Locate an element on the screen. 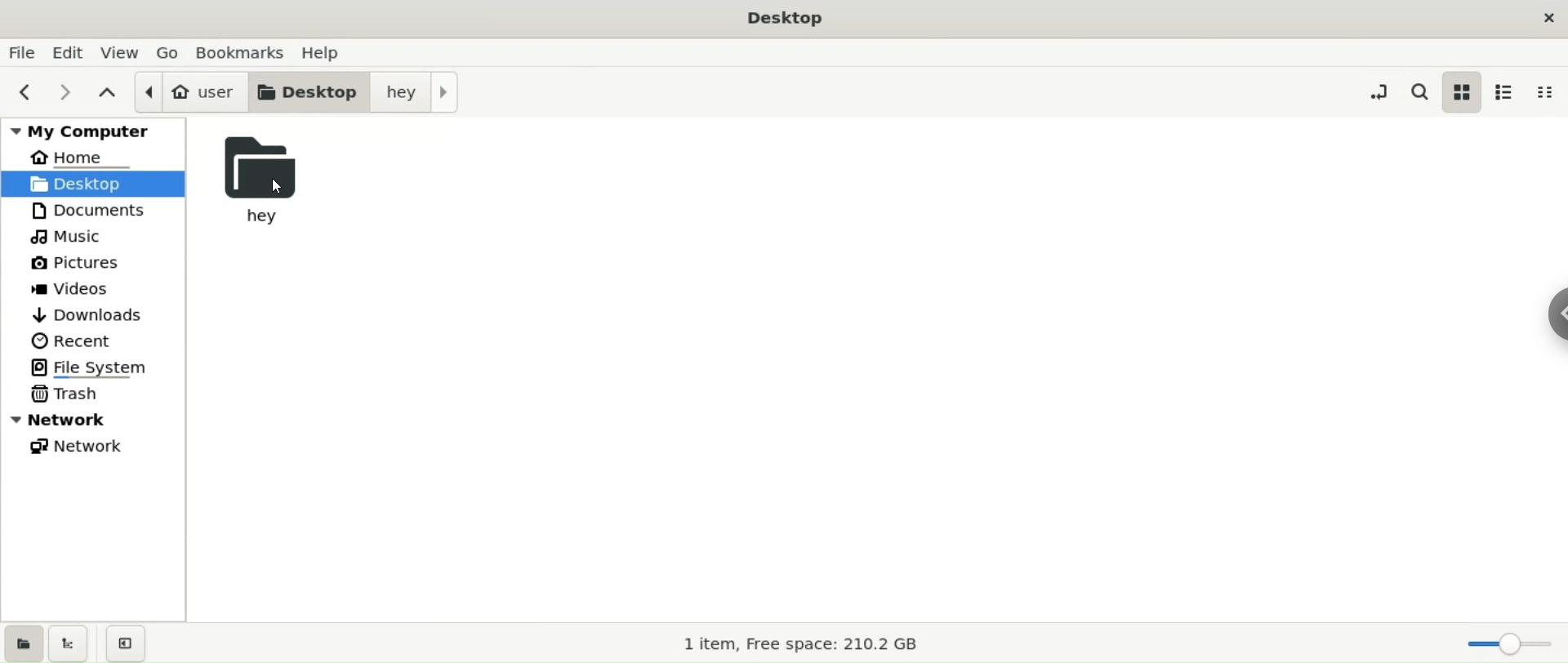 The height and width of the screenshot is (663, 1568). show treeview is located at coordinates (66, 645).